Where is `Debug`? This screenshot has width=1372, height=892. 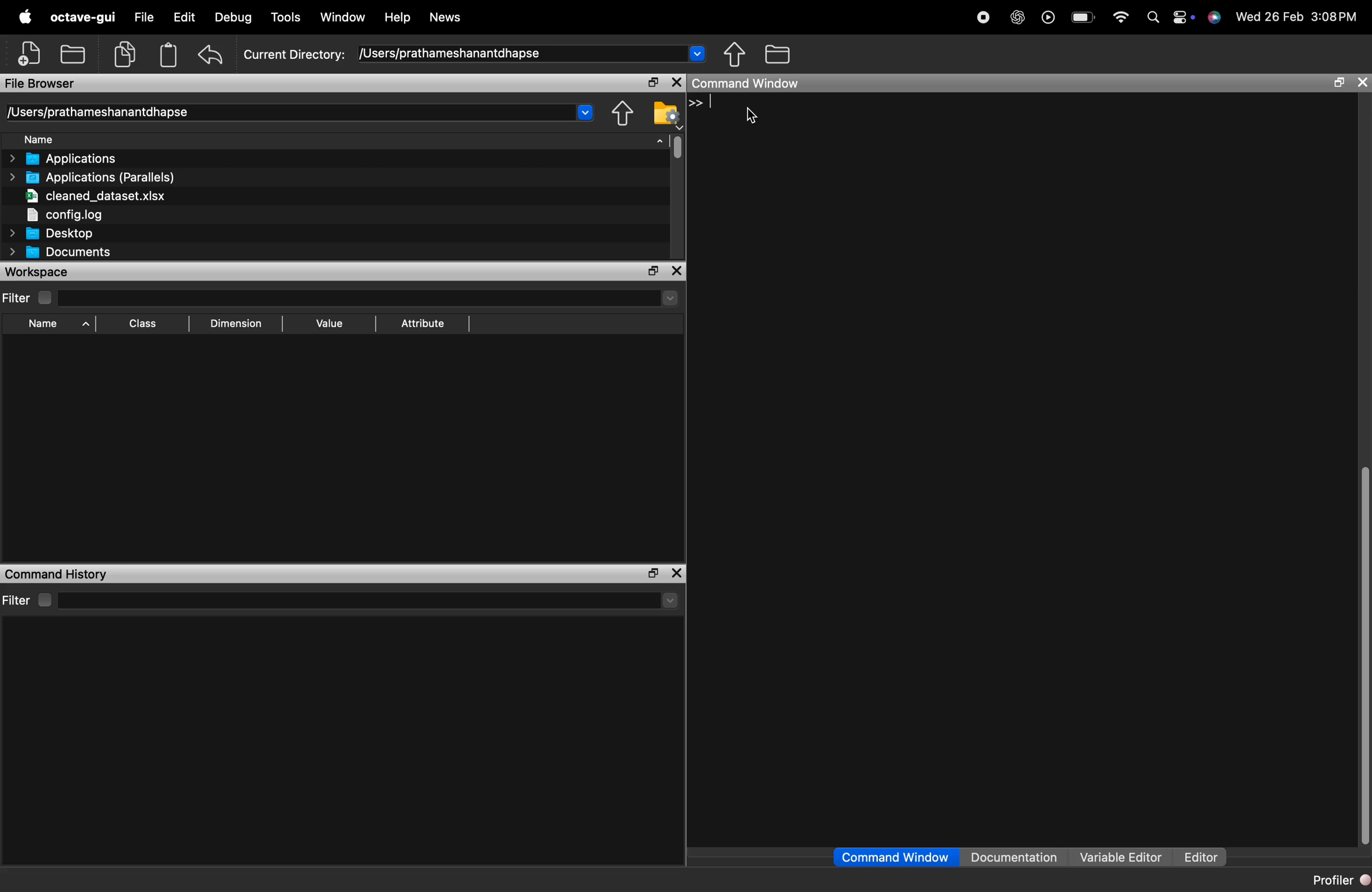
Debug is located at coordinates (233, 18).